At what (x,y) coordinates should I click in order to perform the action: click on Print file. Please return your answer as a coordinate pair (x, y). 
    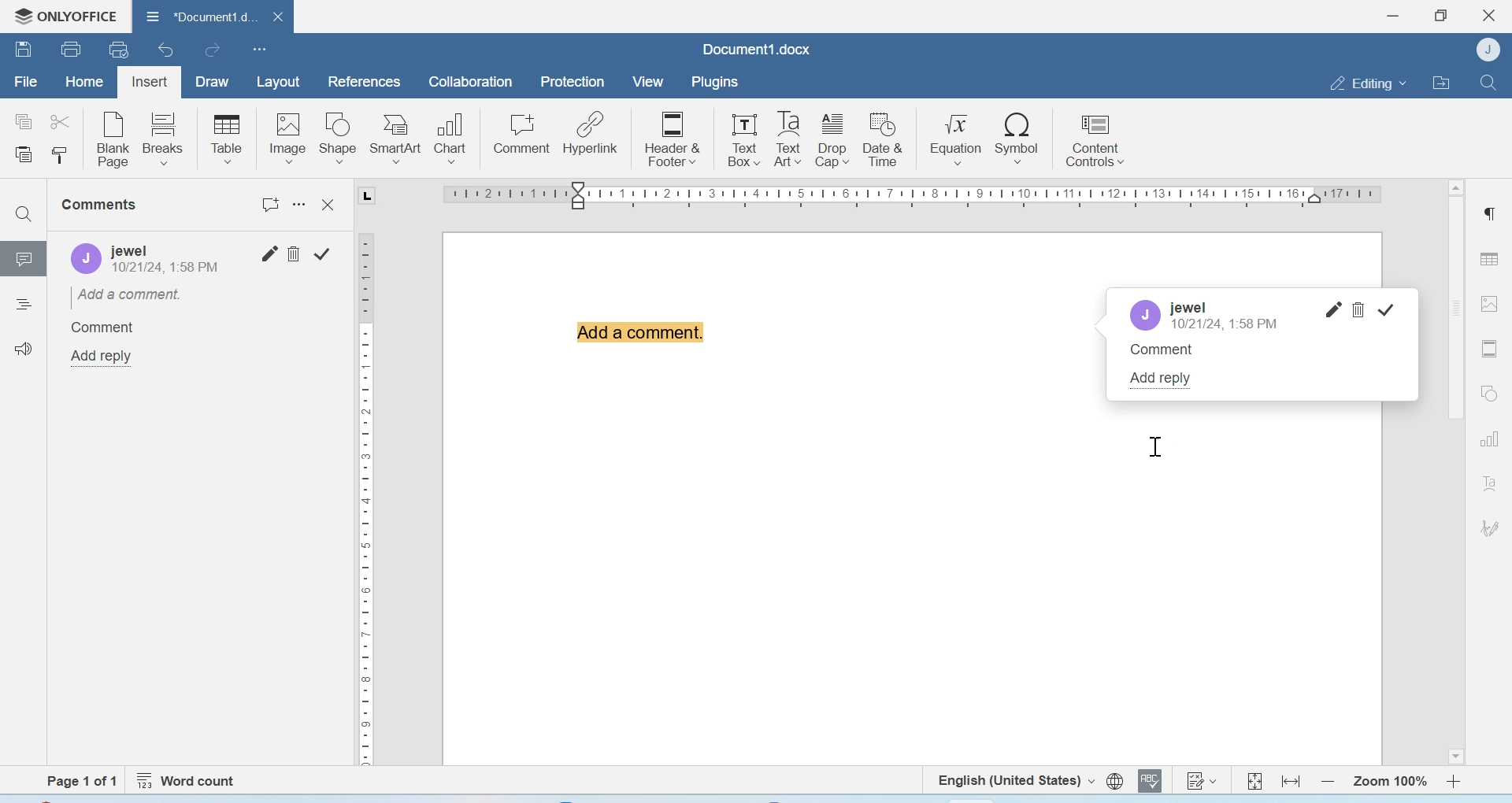
    Looking at the image, I should click on (73, 49).